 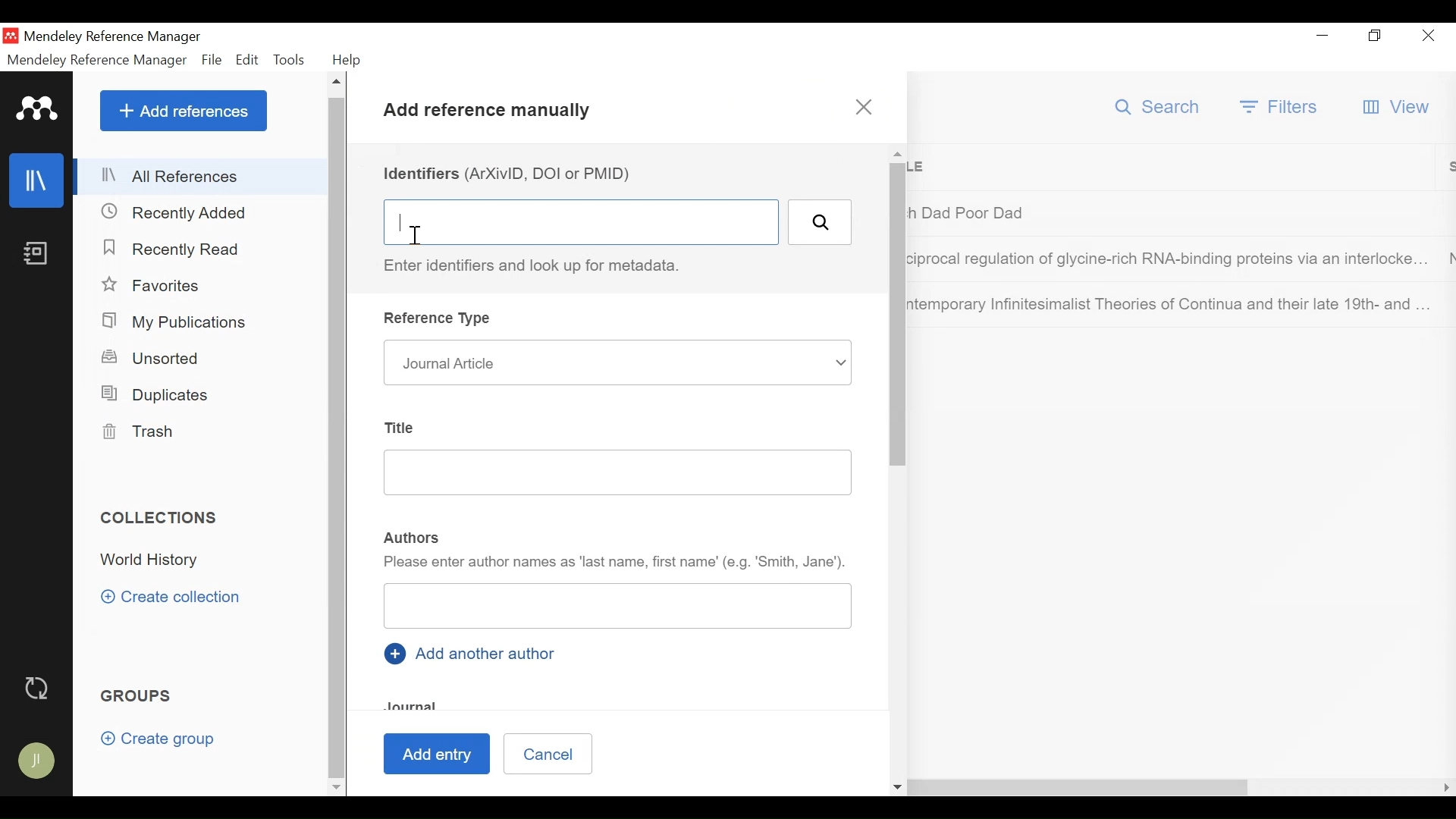 I want to click on Close, so click(x=864, y=108).